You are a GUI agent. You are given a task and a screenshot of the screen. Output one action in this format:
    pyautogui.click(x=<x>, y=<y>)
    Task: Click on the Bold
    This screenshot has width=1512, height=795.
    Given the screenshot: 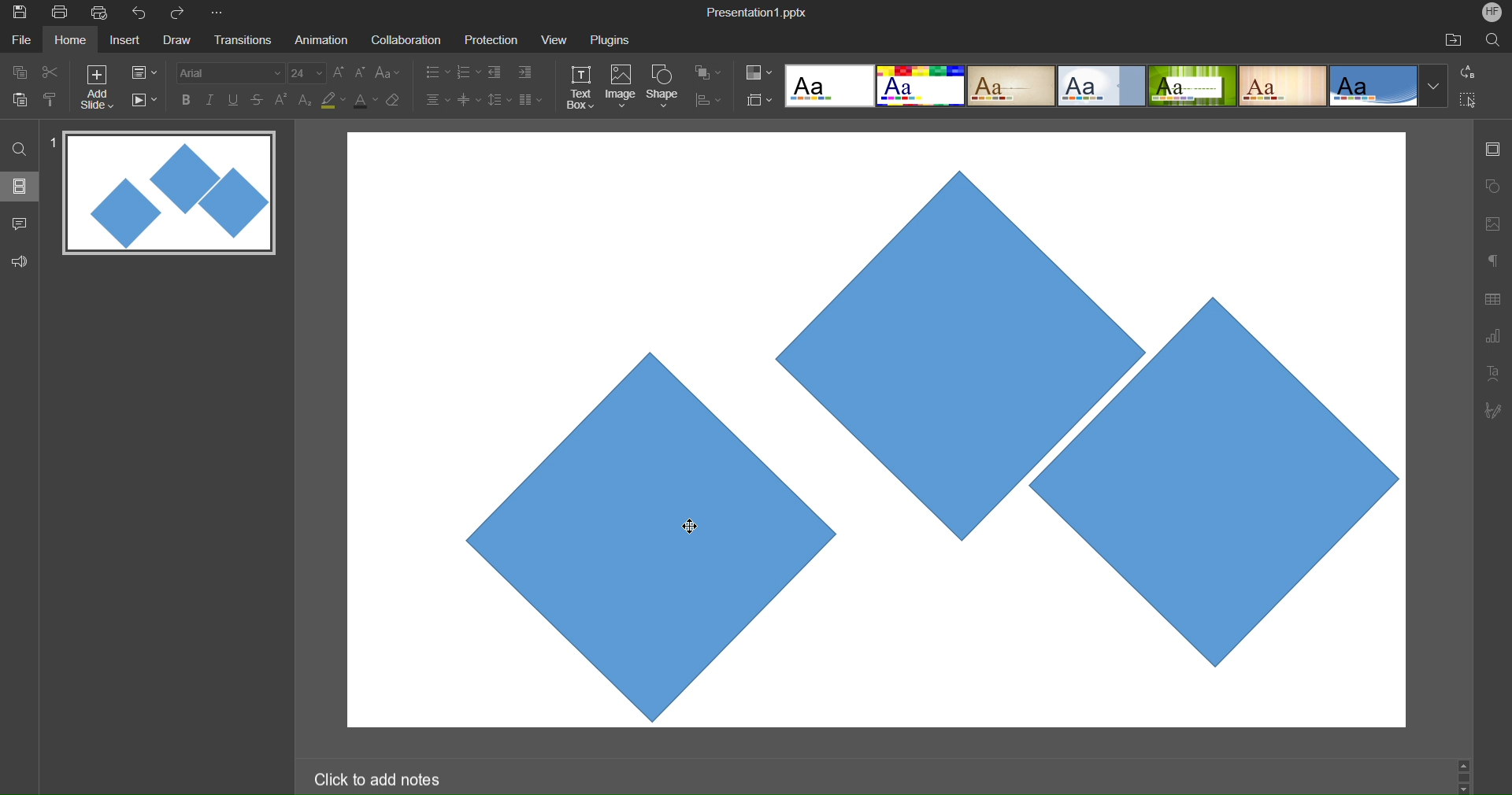 What is the action you would take?
    pyautogui.click(x=187, y=99)
    